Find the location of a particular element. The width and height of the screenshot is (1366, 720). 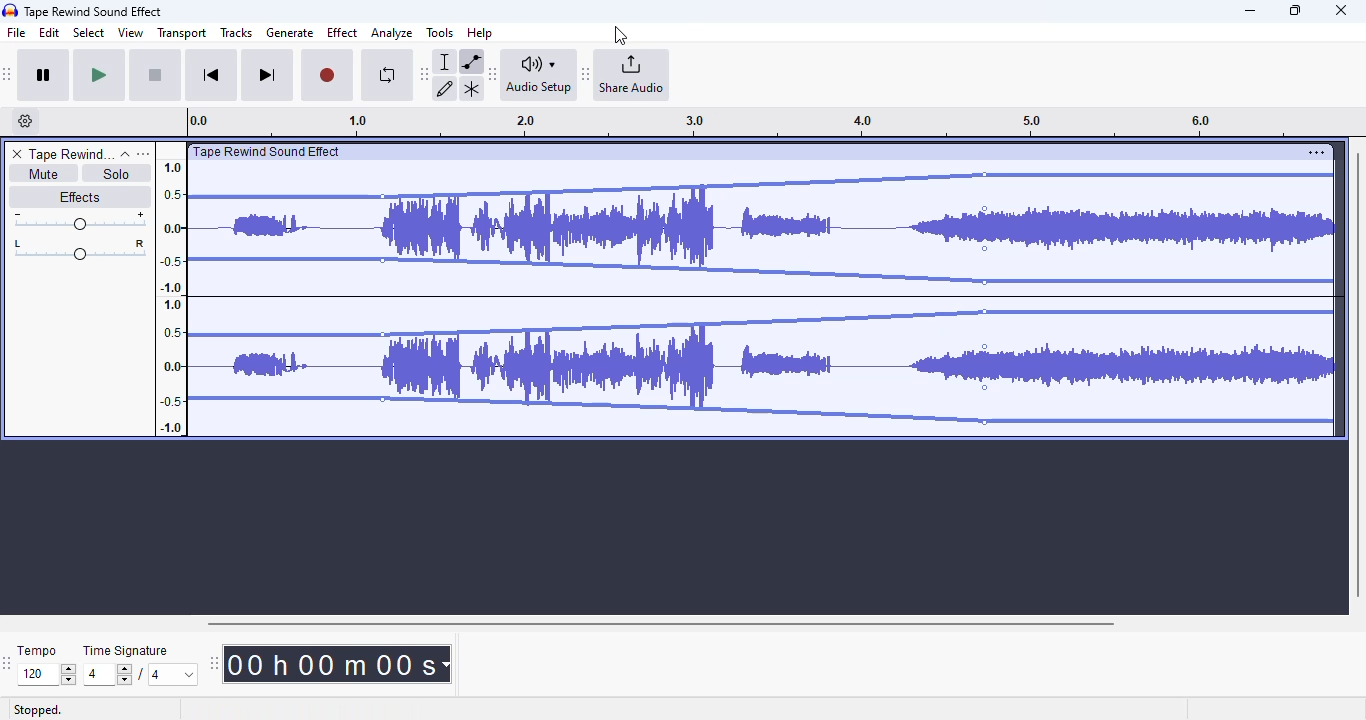

skip to start is located at coordinates (210, 77).